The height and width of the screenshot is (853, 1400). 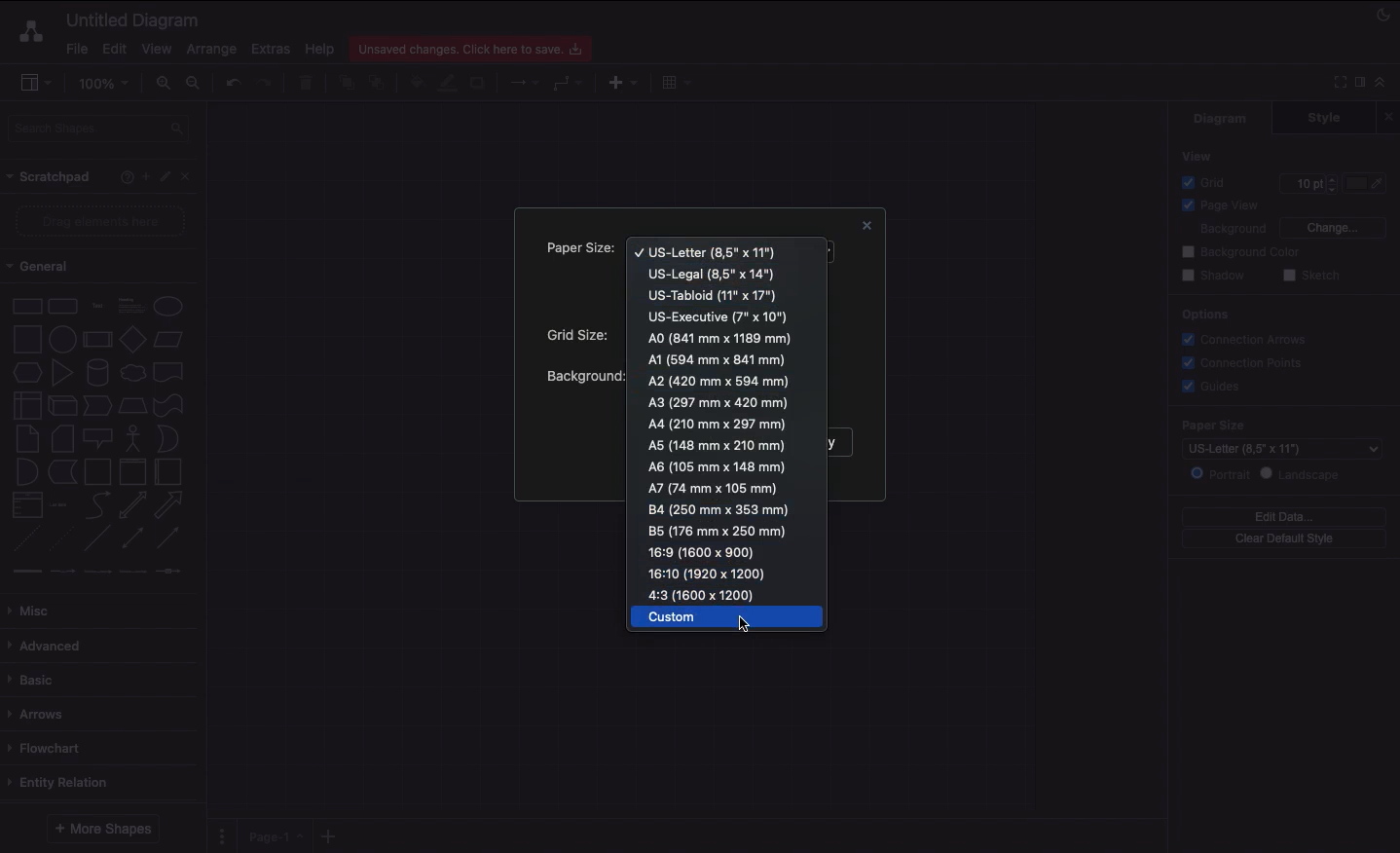 What do you see at coordinates (133, 19) in the screenshot?
I see `Untitled diagram` at bounding box center [133, 19].